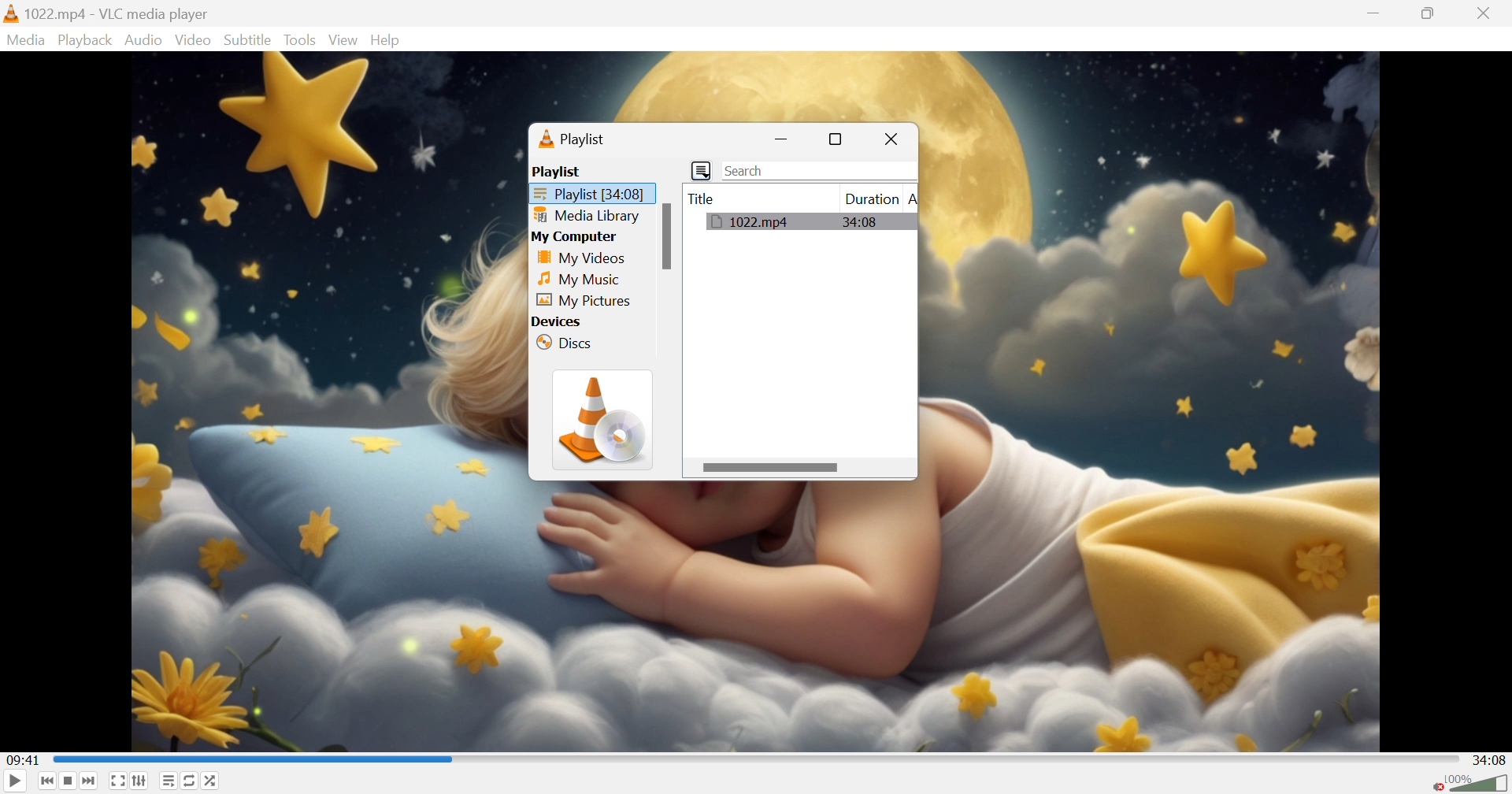 The width and height of the screenshot is (1512, 794). I want to click on Audio, so click(144, 40).